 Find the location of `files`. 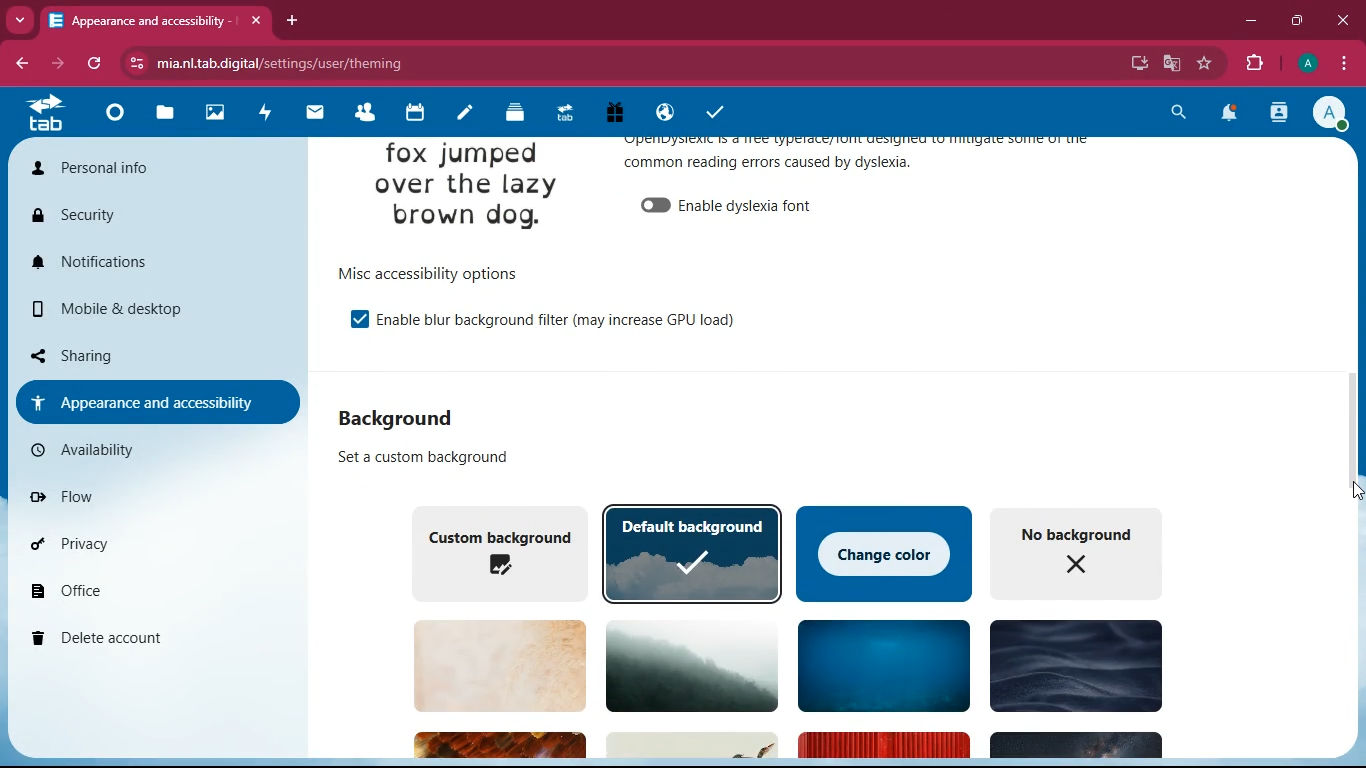

files is located at coordinates (164, 115).